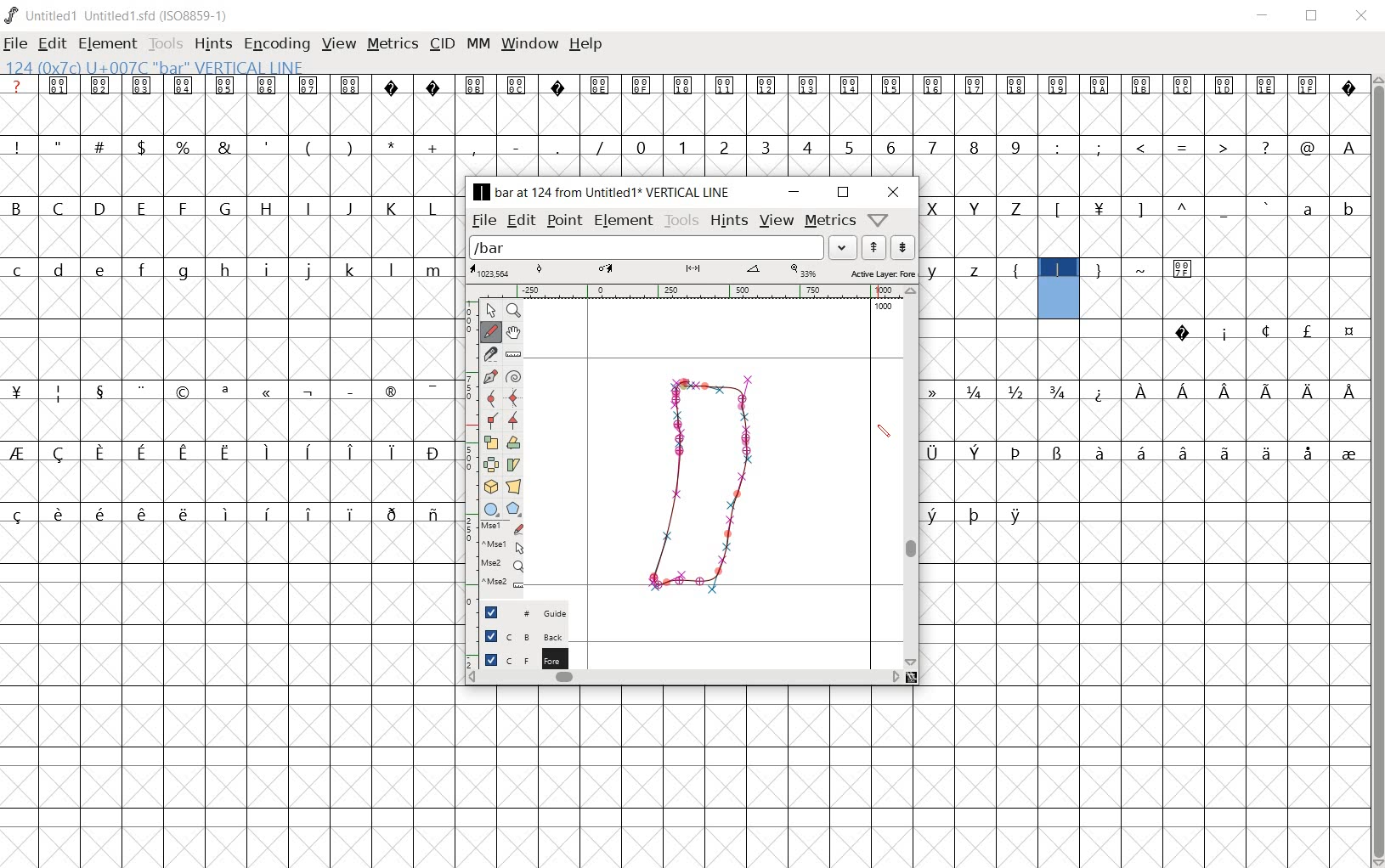  I want to click on scrollbar, so click(909, 476).